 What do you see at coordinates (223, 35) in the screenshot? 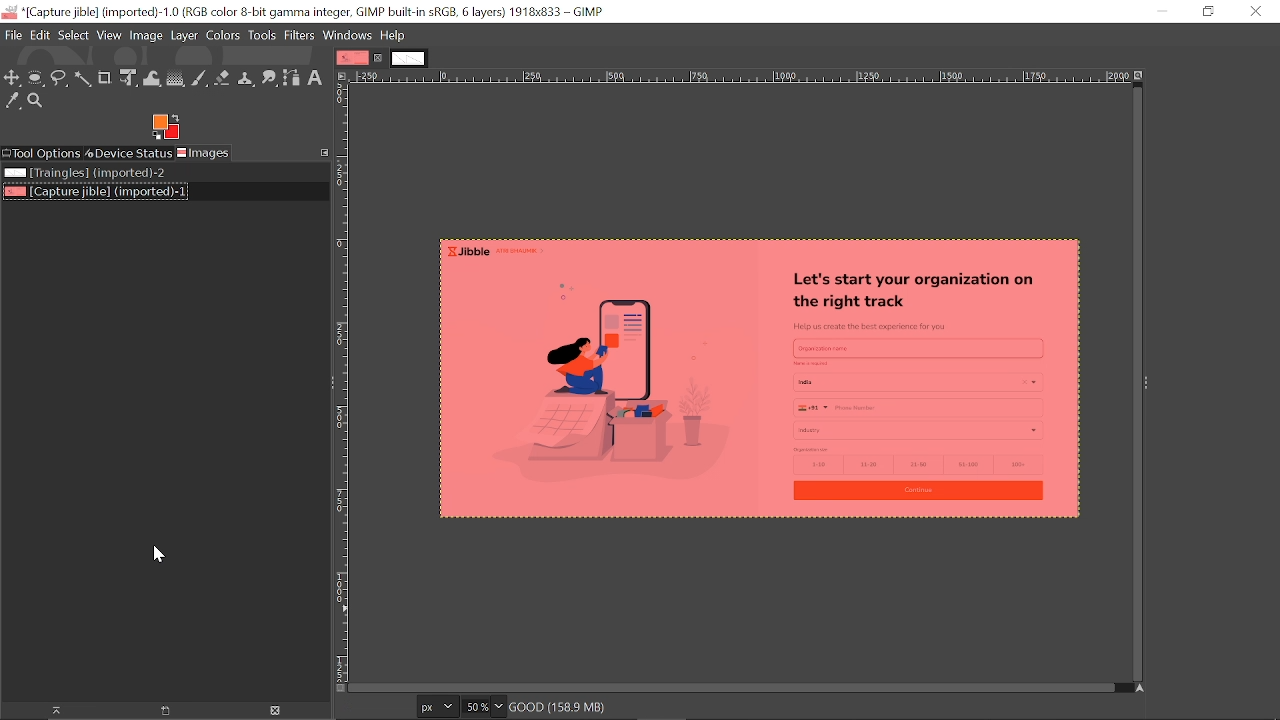
I see `Colors` at bounding box center [223, 35].